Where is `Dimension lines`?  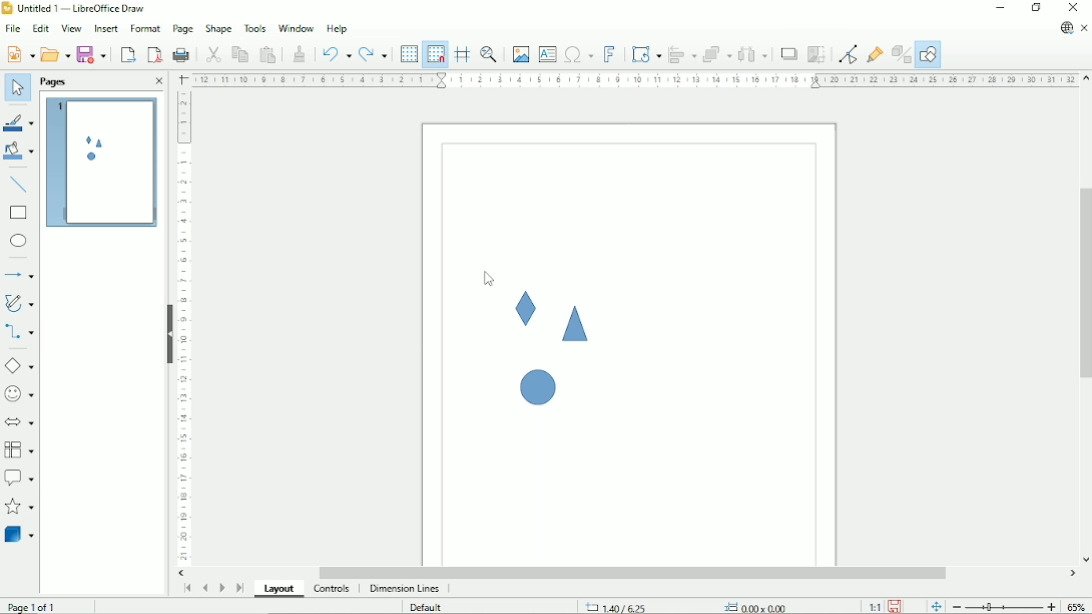
Dimension lines is located at coordinates (406, 589).